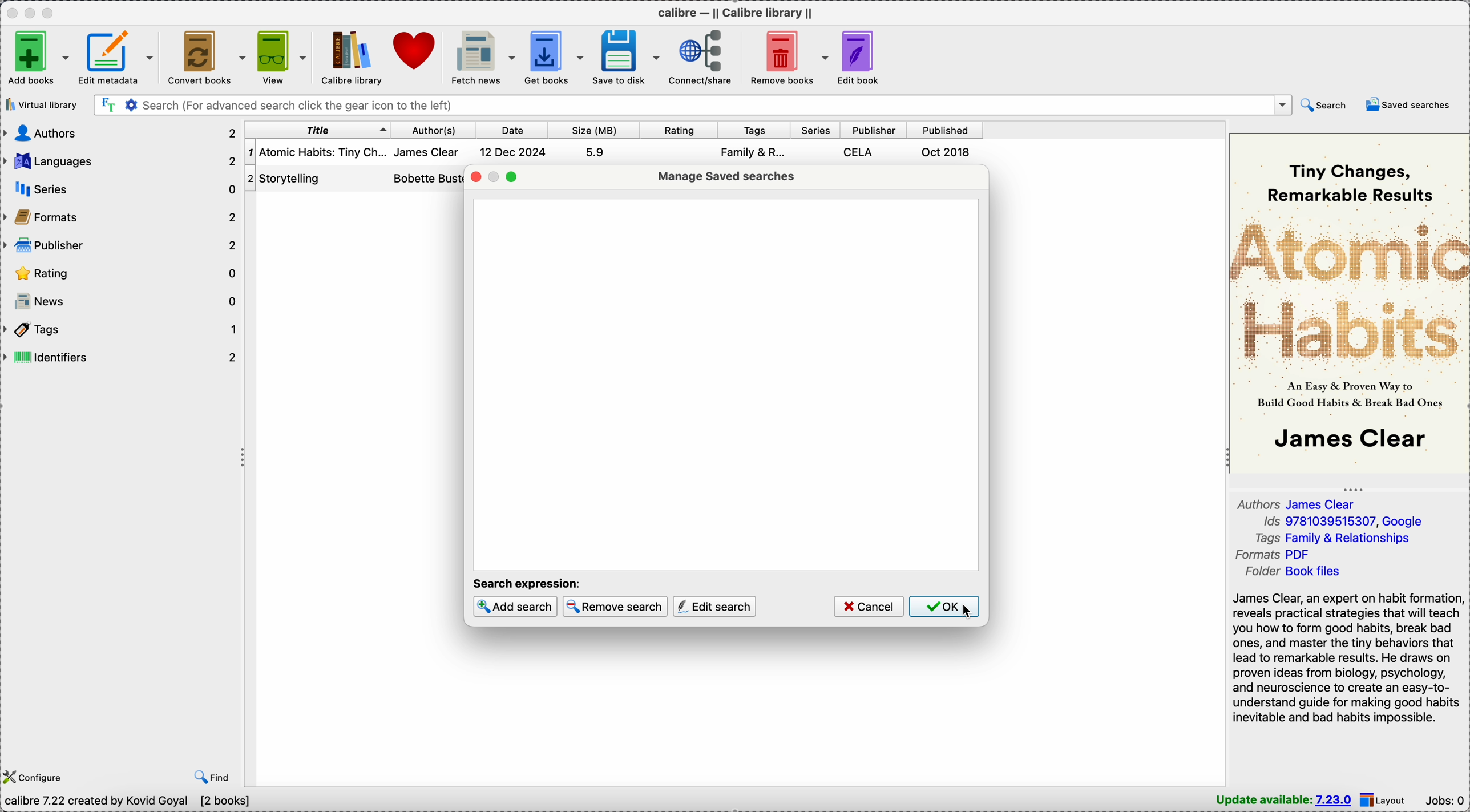 The image size is (1470, 812). What do you see at coordinates (946, 152) in the screenshot?
I see `oct 2018` at bounding box center [946, 152].